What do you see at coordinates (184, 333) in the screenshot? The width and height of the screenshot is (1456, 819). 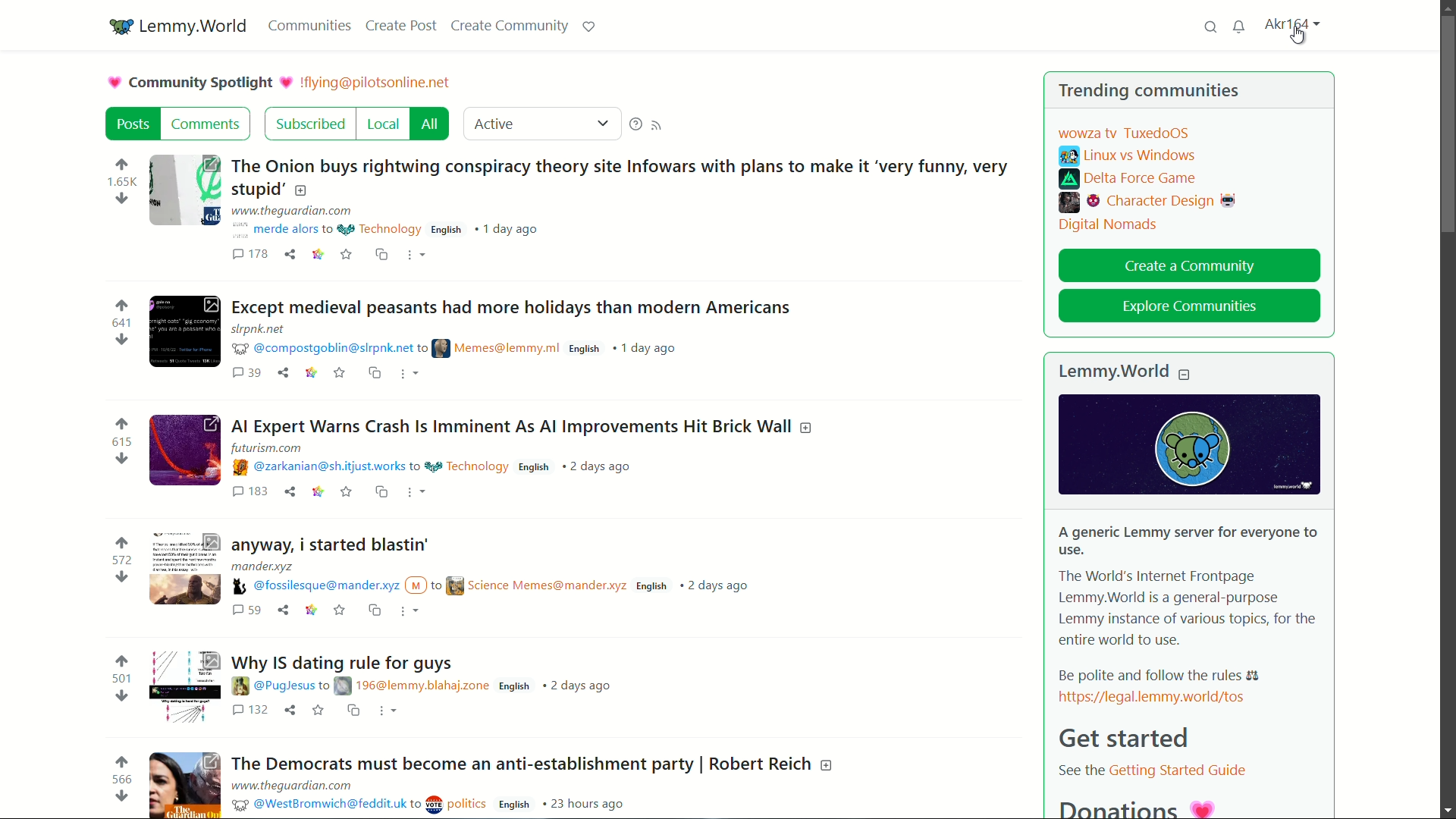 I see `image` at bounding box center [184, 333].